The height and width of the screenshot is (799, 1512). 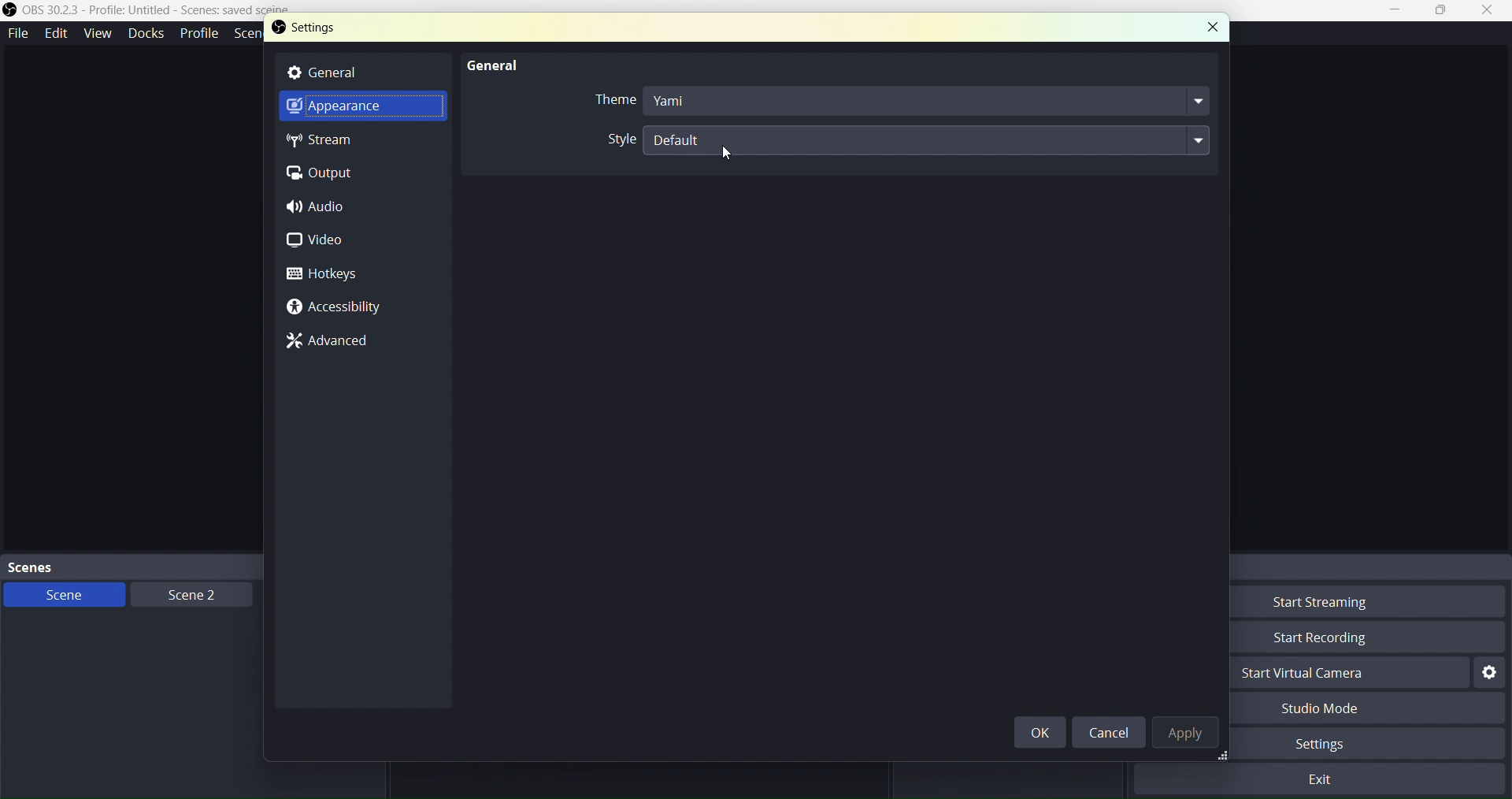 What do you see at coordinates (356, 72) in the screenshot?
I see `General` at bounding box center [356, 72].